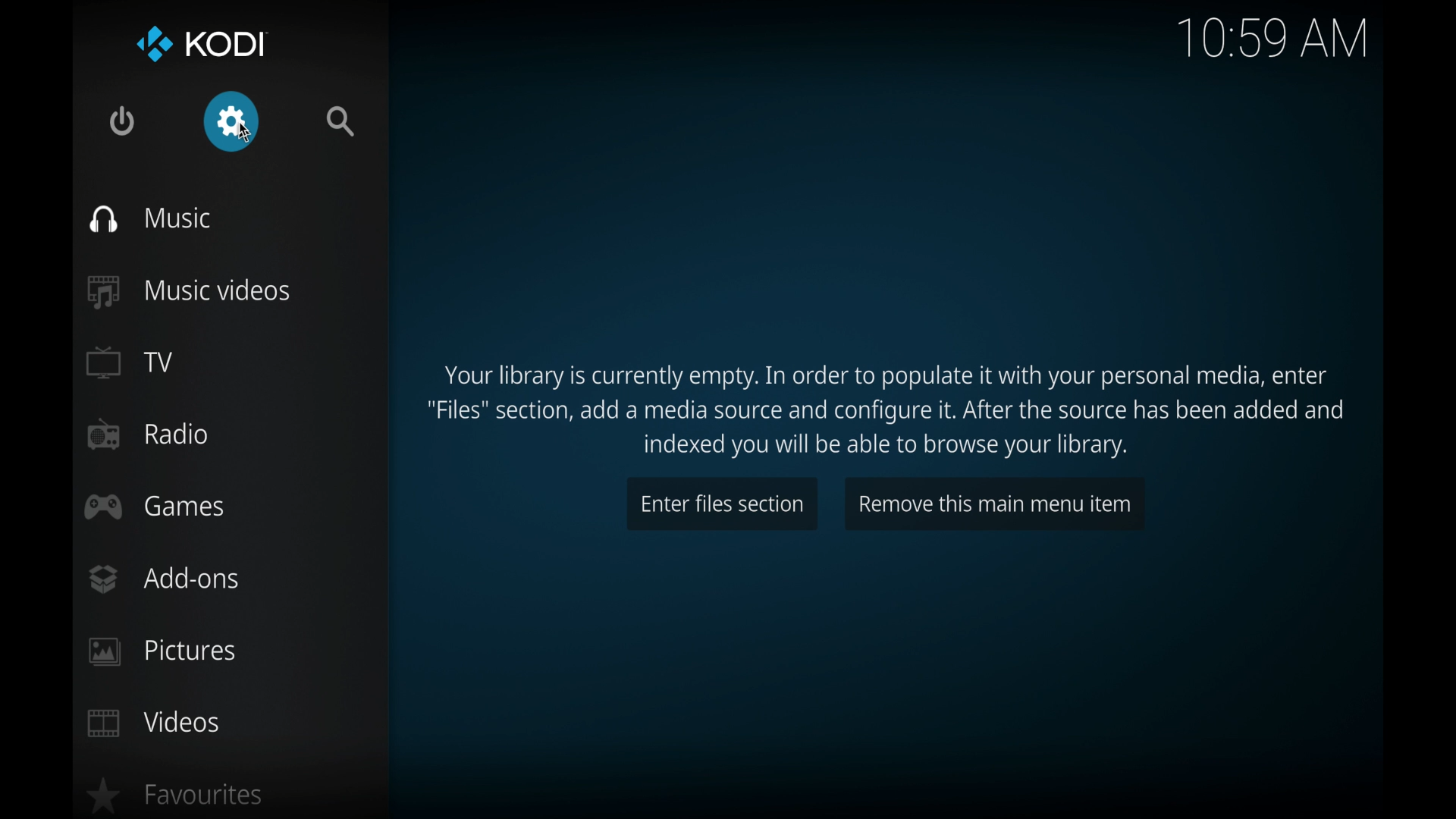 The height and width of the screenshot is (819, 1456). Describe the element at coordinates (132, 362) in the screenshot. I see `TV` at that location.